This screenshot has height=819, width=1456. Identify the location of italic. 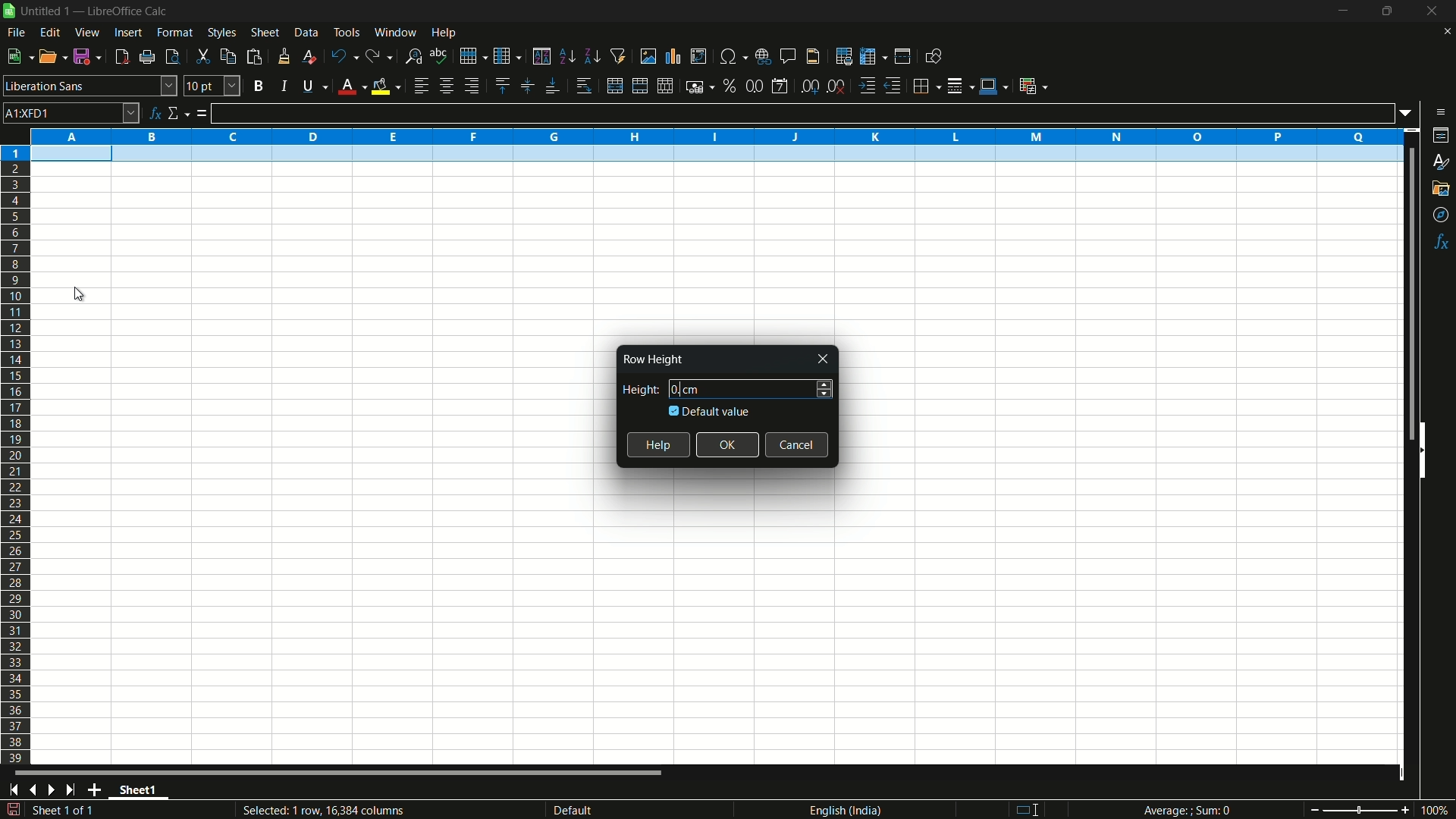
(283, 86).